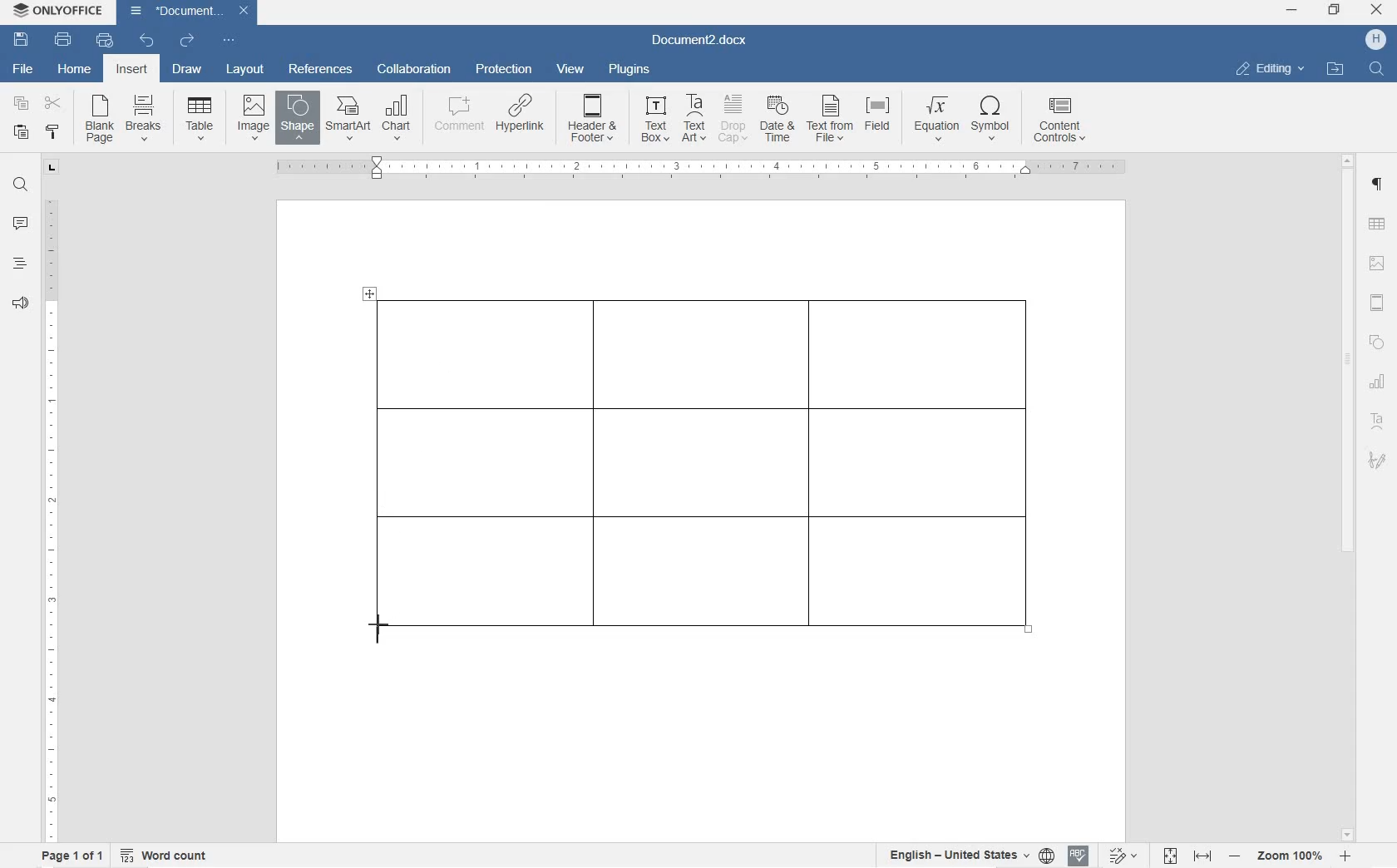  Describe the element at coordinates (1375, 40) in the screenshot. I see `HP` at that location.